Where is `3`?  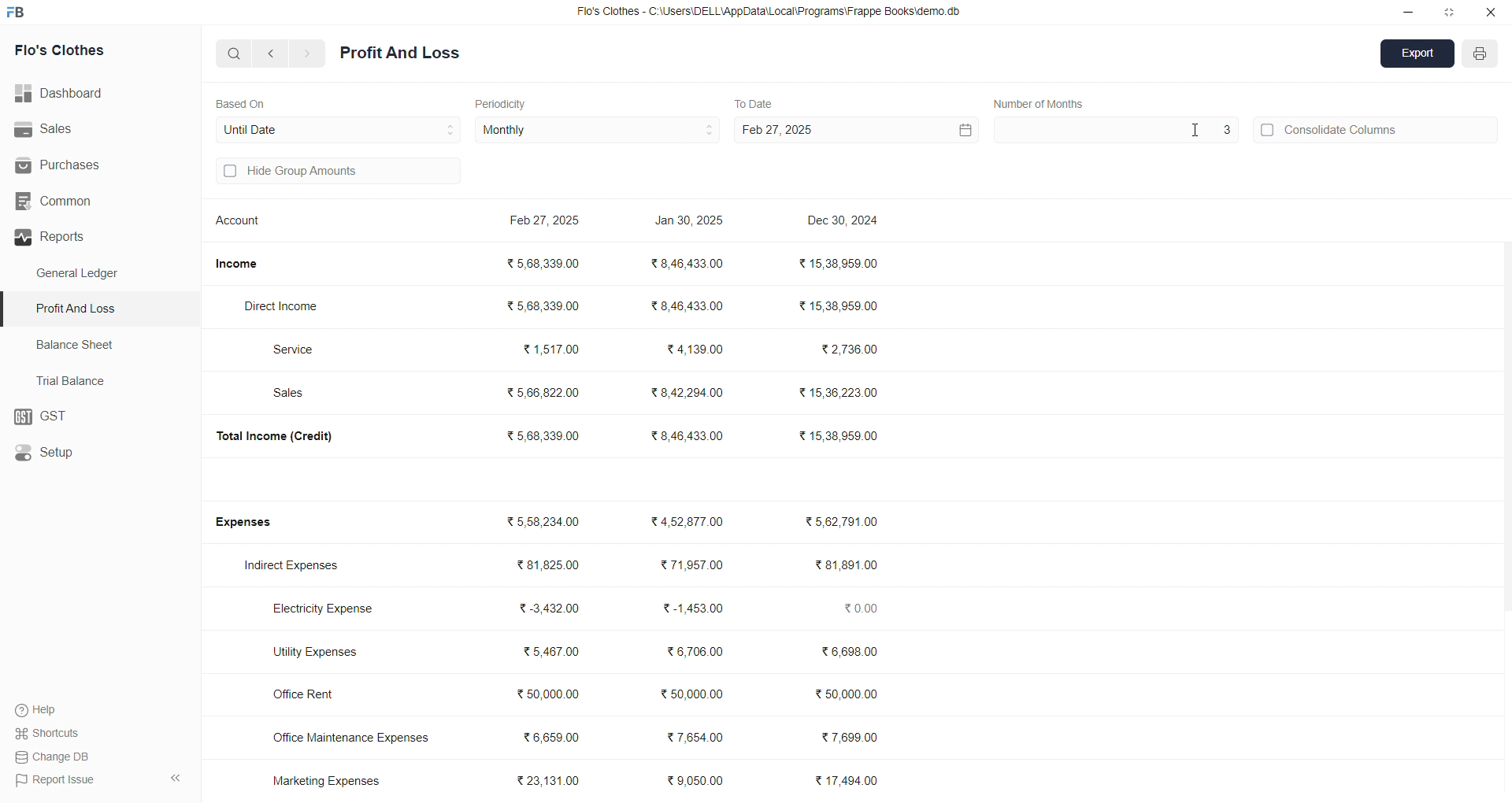 3 is located at coordinates (1114, 130).